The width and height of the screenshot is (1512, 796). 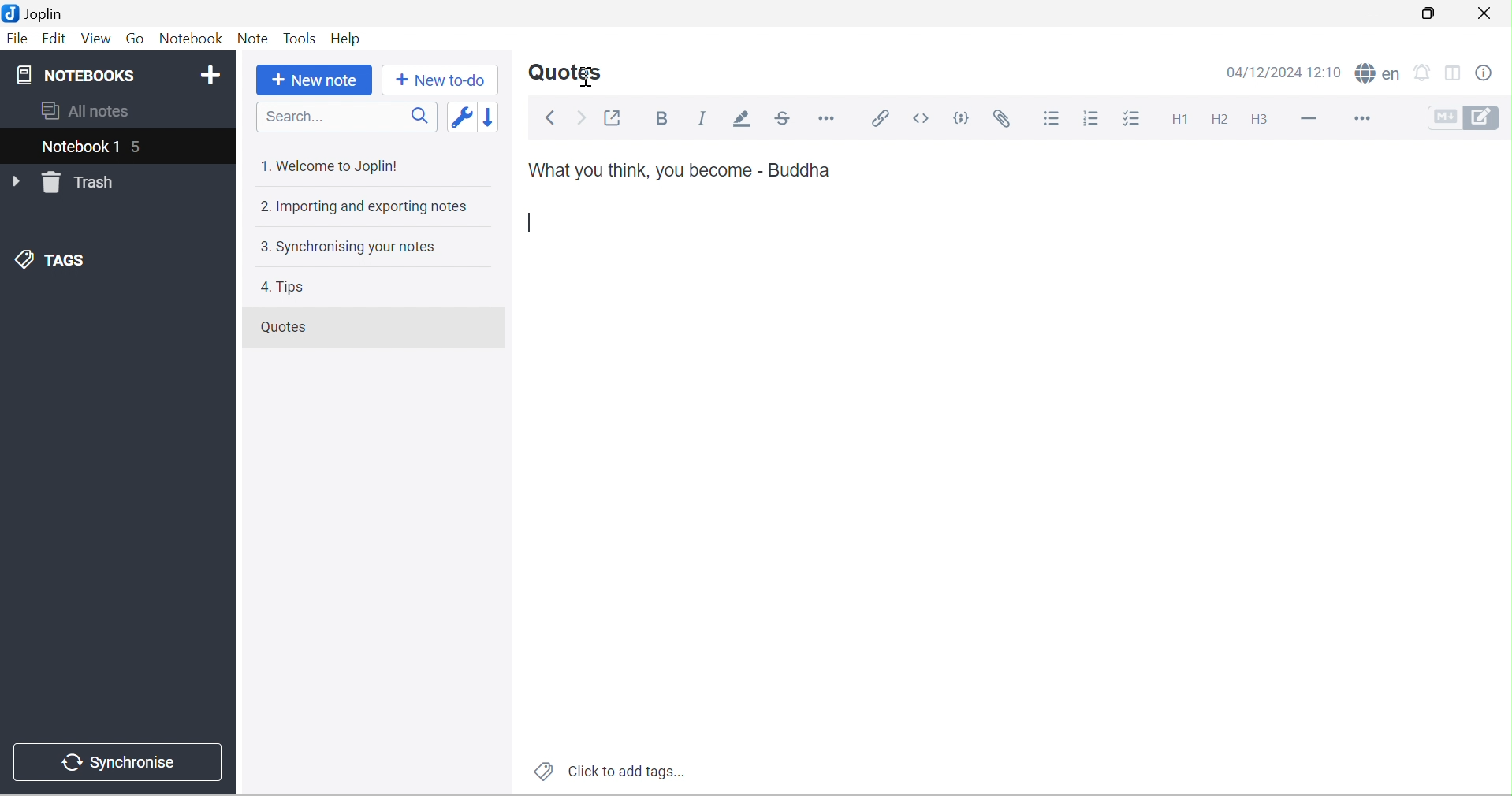 What do you see at coordinates (367, 205) in the screenshot?
I see `2. Importing and exporting notes` at bounding box center [367, 205].